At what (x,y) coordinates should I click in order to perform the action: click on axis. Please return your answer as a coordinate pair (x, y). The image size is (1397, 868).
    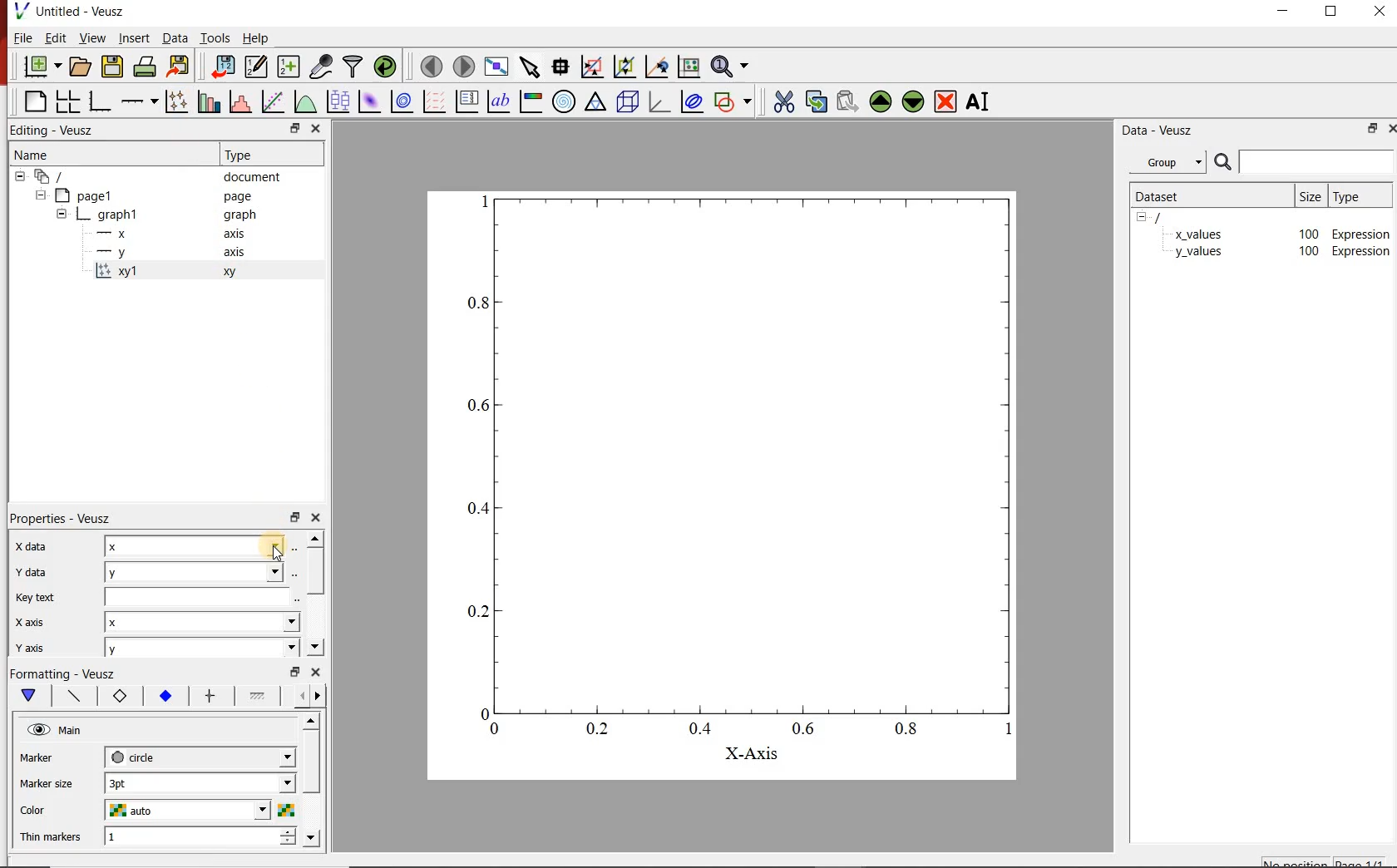
    Looking at the image, I should click on (234, 253).